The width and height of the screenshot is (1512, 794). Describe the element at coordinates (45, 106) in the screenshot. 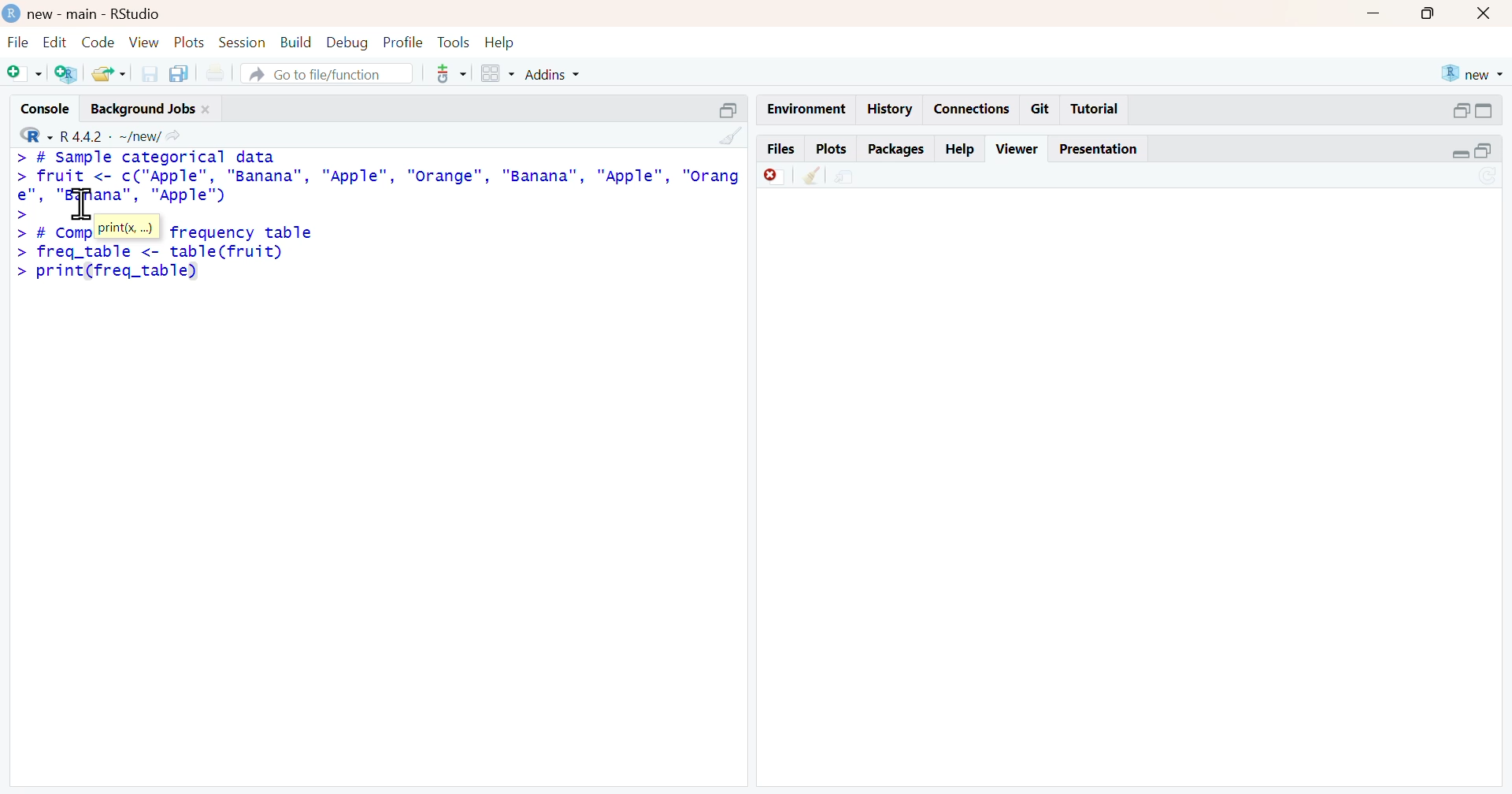

I see `console` at that location.